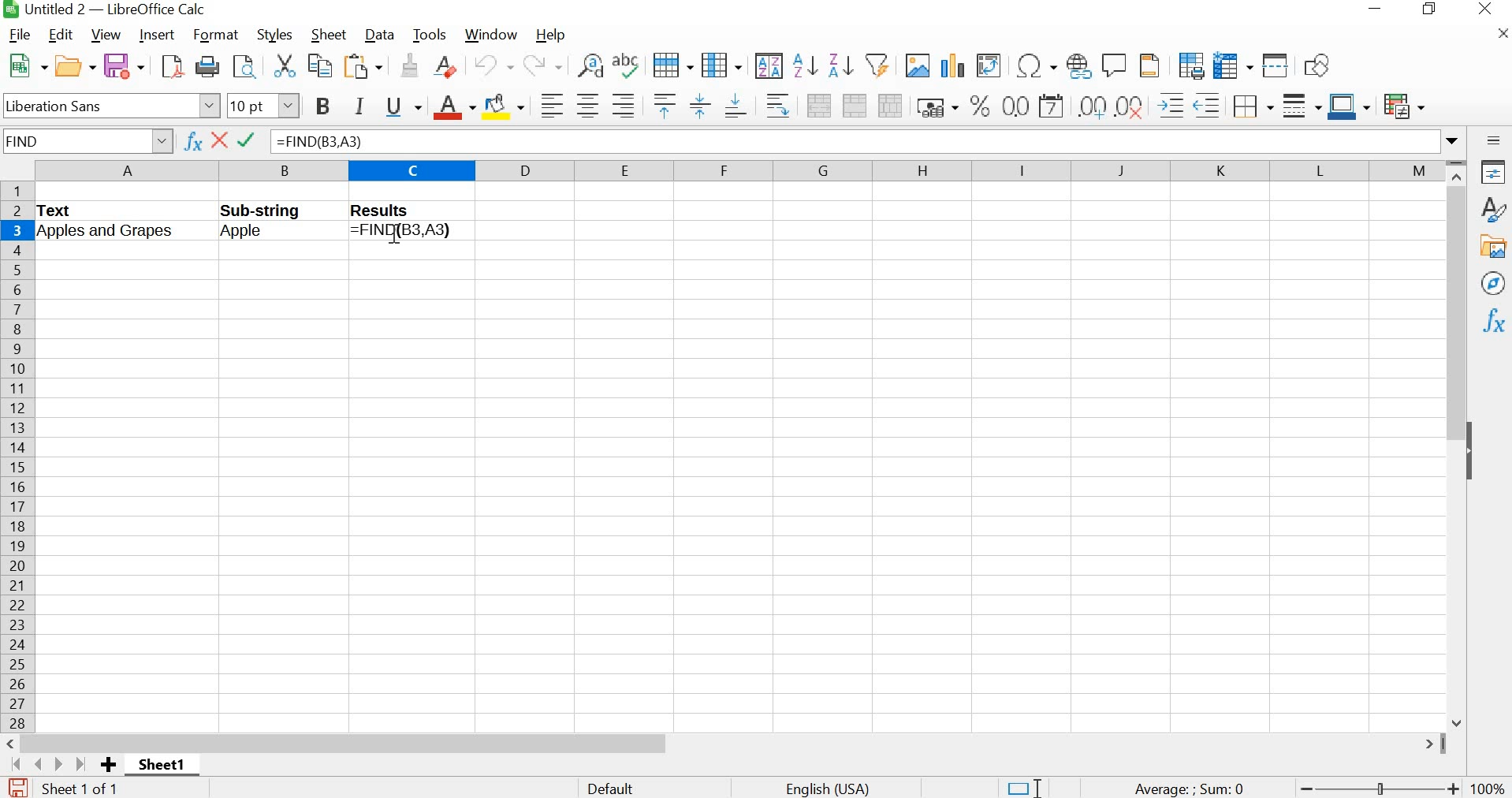 Image resolution: width=1512 pixels, height=798 pixels. I want to click on format, so click(217, 35).